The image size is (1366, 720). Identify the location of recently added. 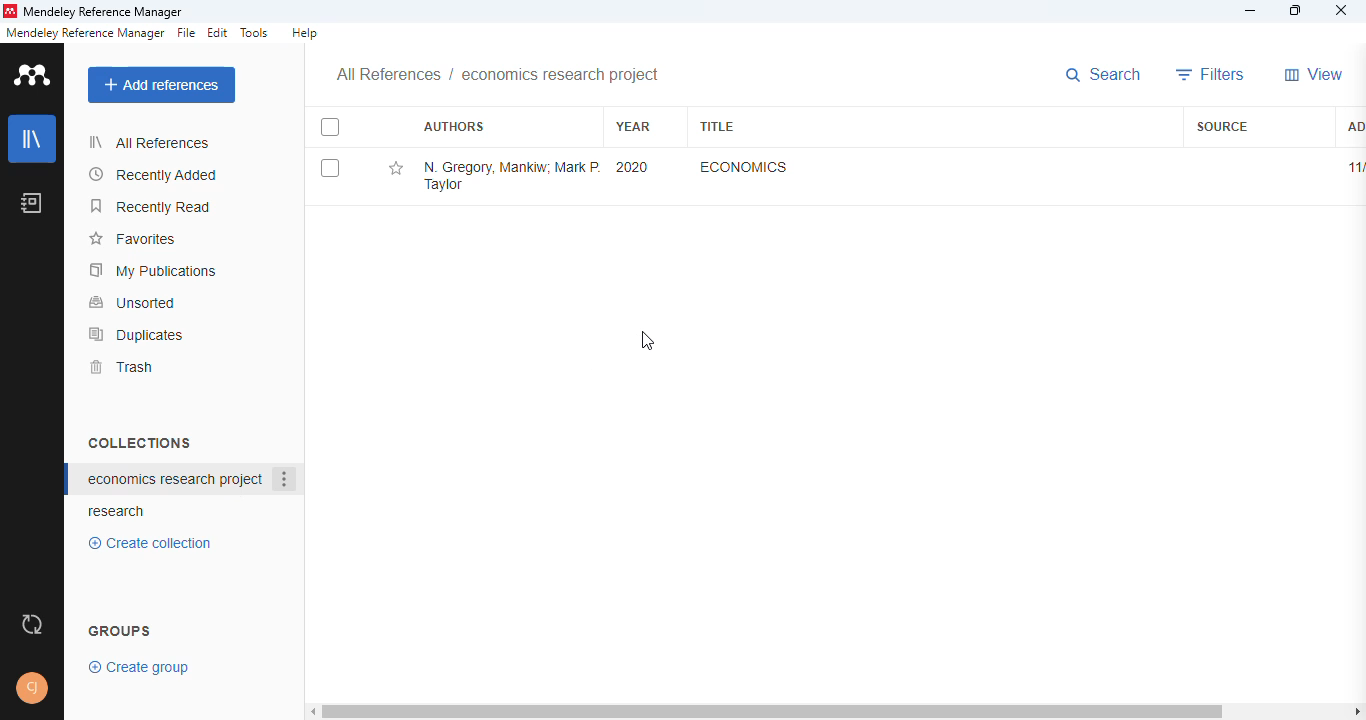
(154, 175).